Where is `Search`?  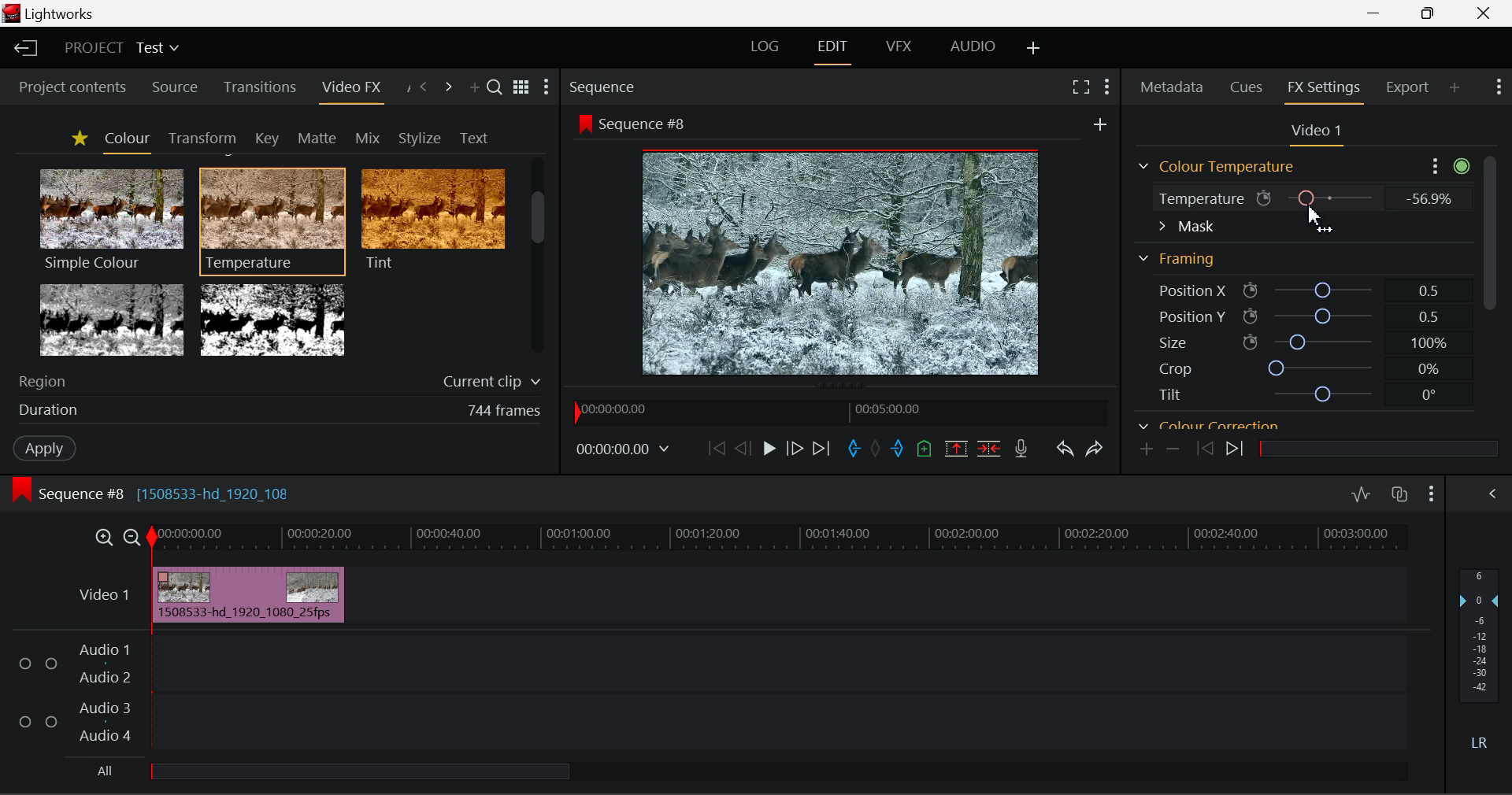
Search is located at coordinates (496, 90).